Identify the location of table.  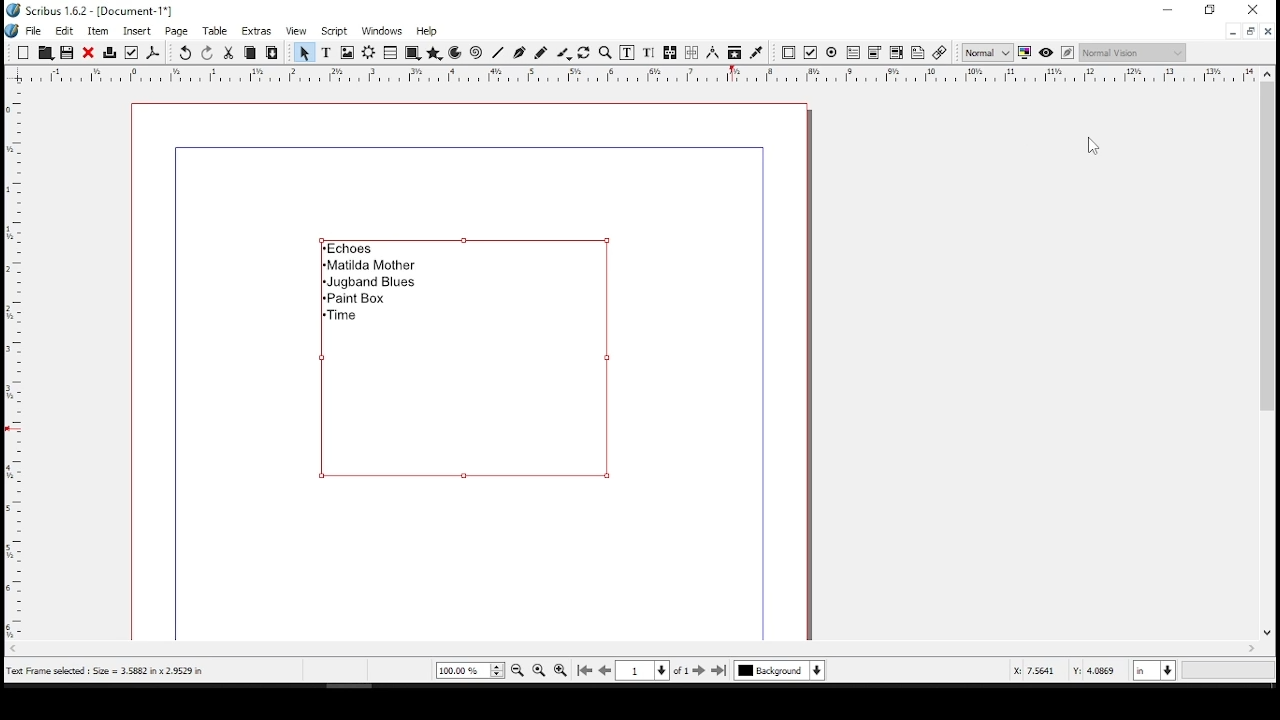
(390, 53).